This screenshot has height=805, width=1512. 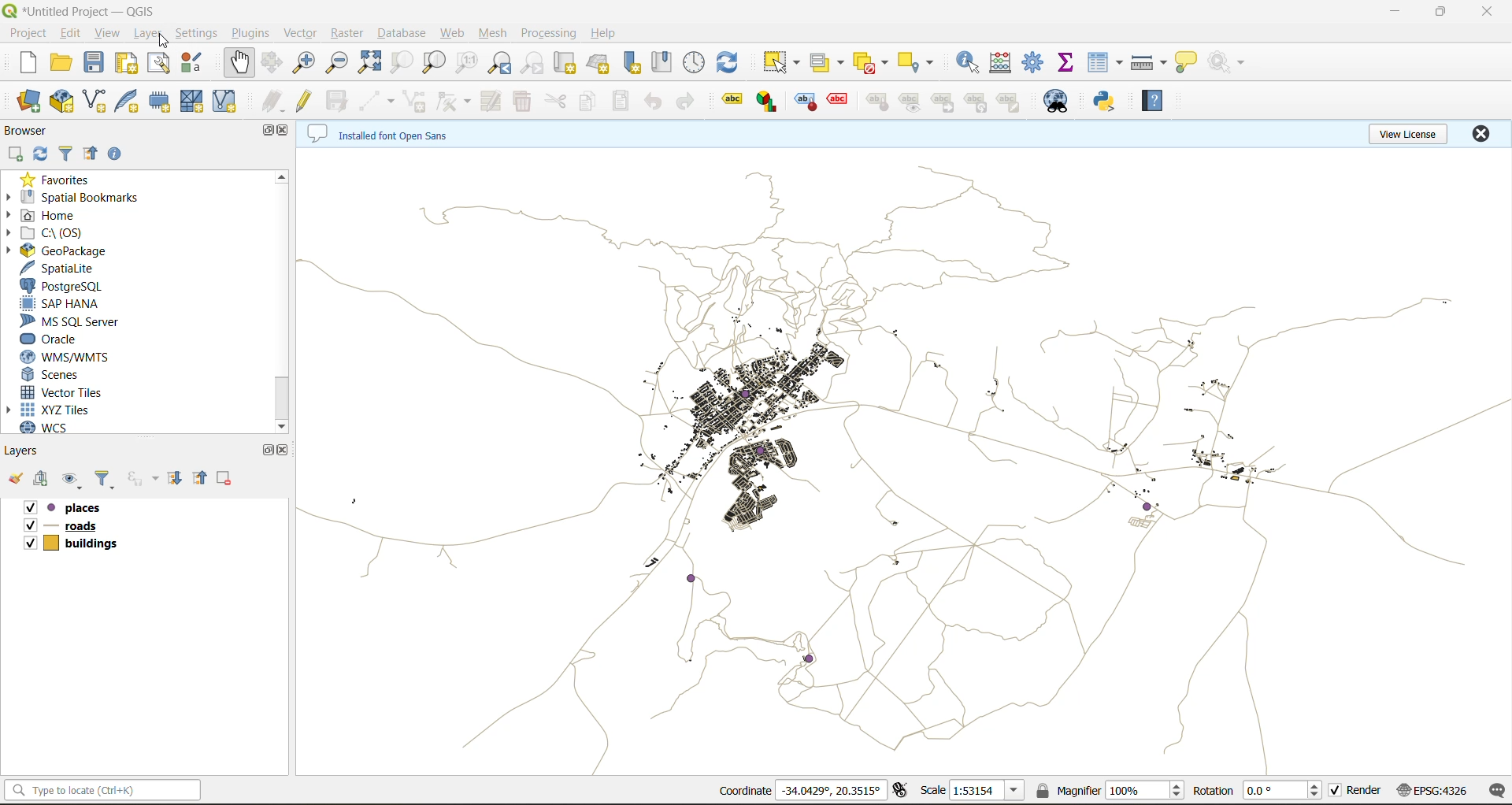 What do you see at coordinates (225, 102) in the screenshot?
I see `virtual layer` at bounding box center [225, 102].